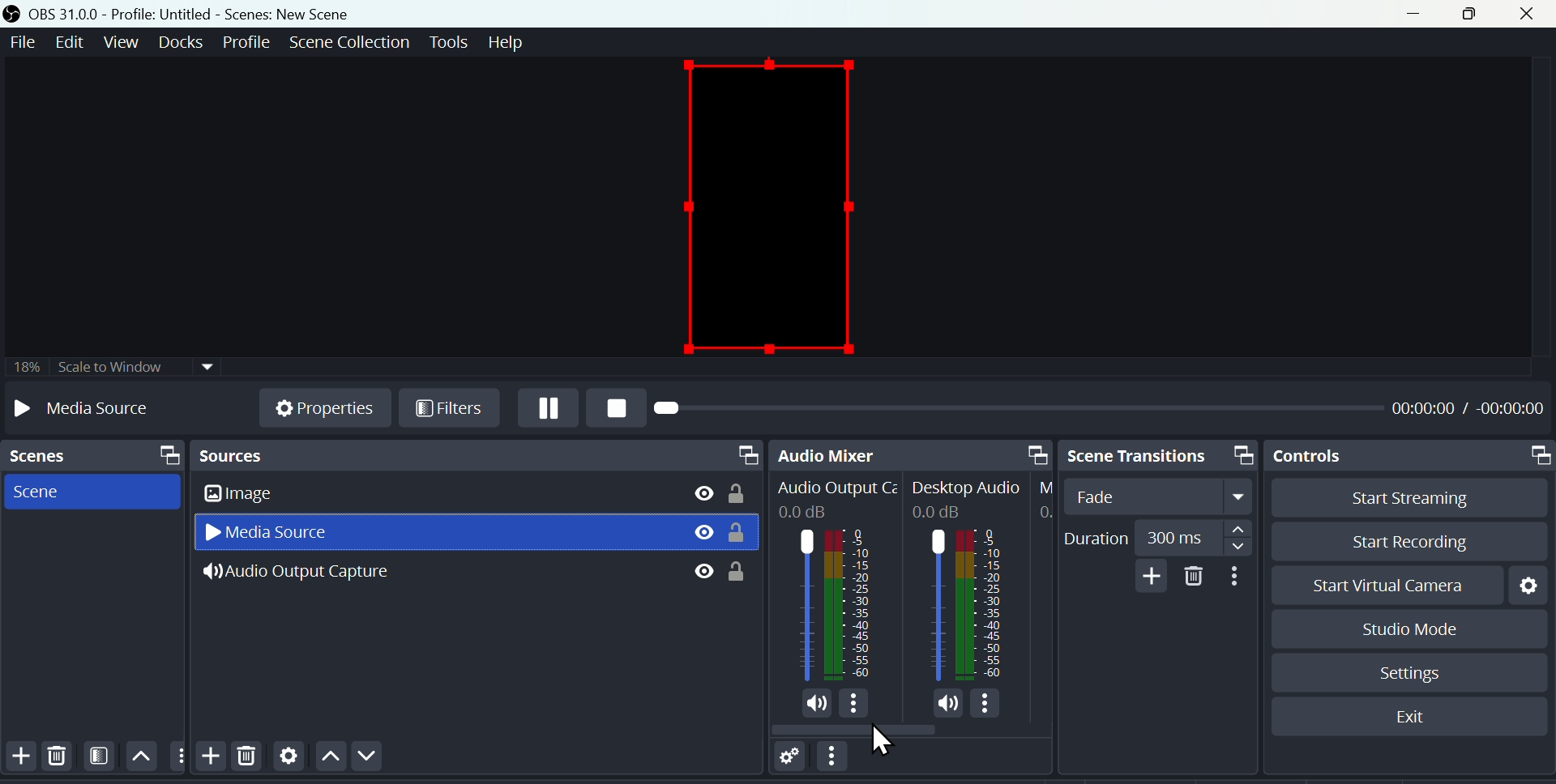  I want to click on Options, so click(854, 703).